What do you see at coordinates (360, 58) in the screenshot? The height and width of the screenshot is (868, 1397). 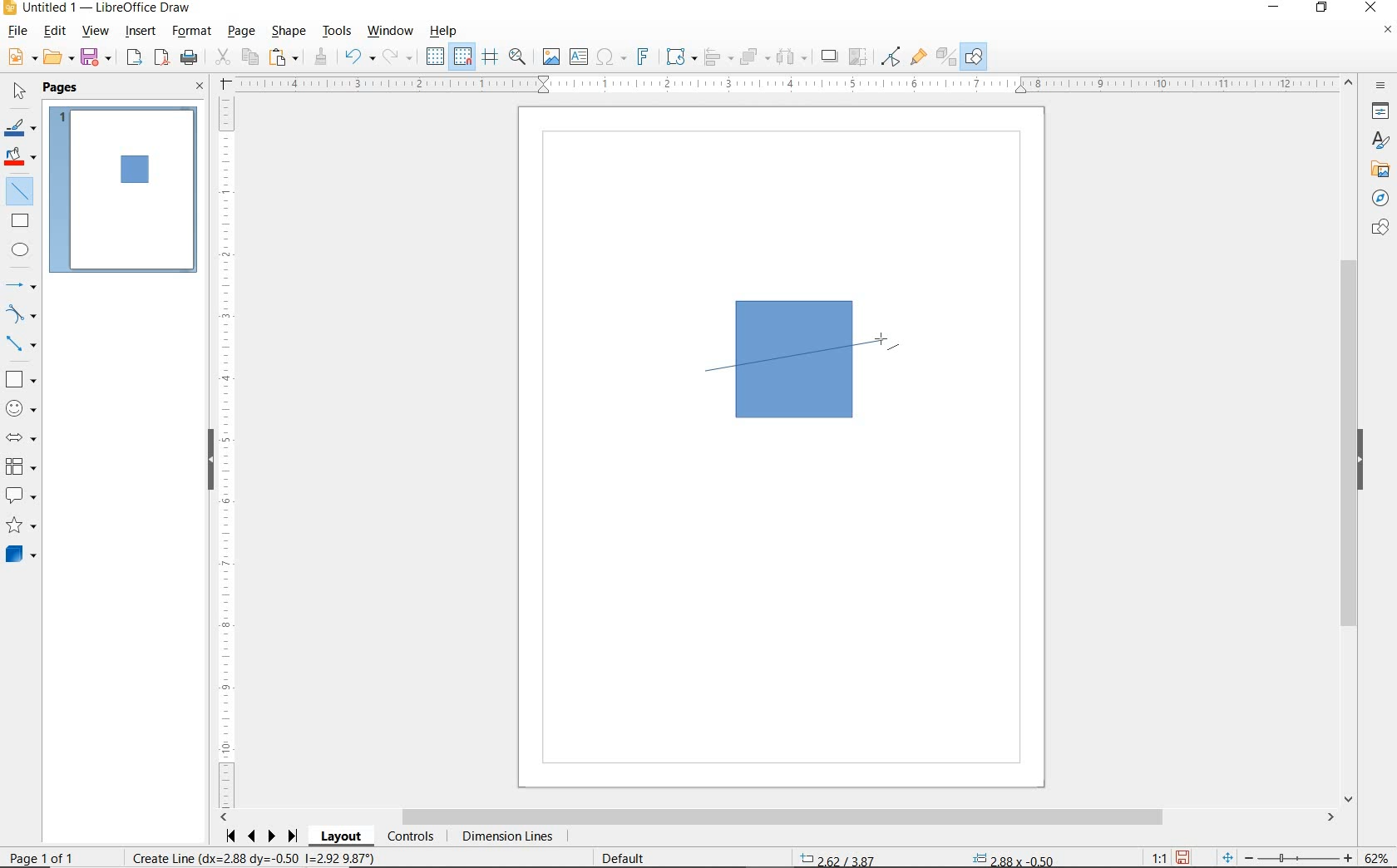 I see `UNDO` at bounding box center [360, 58].